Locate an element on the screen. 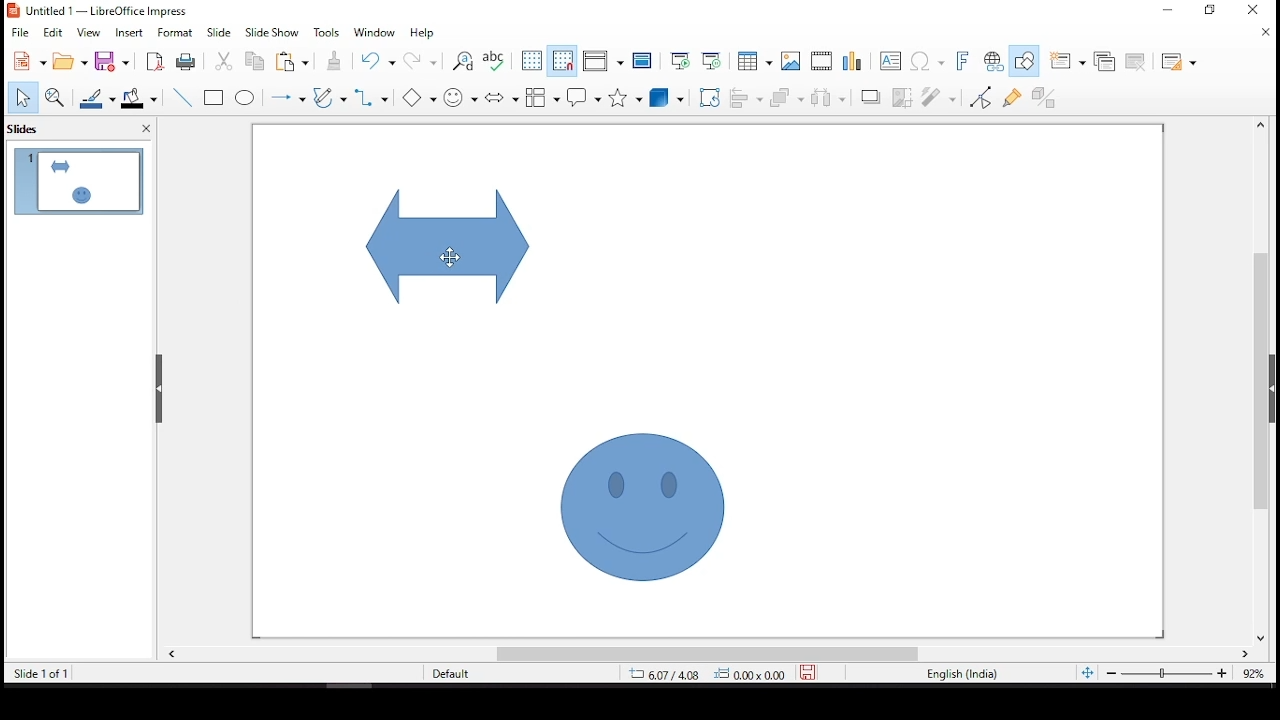 The height and width of the screenshot is (720, 1280). spell check is located at coordinates (494, 63).